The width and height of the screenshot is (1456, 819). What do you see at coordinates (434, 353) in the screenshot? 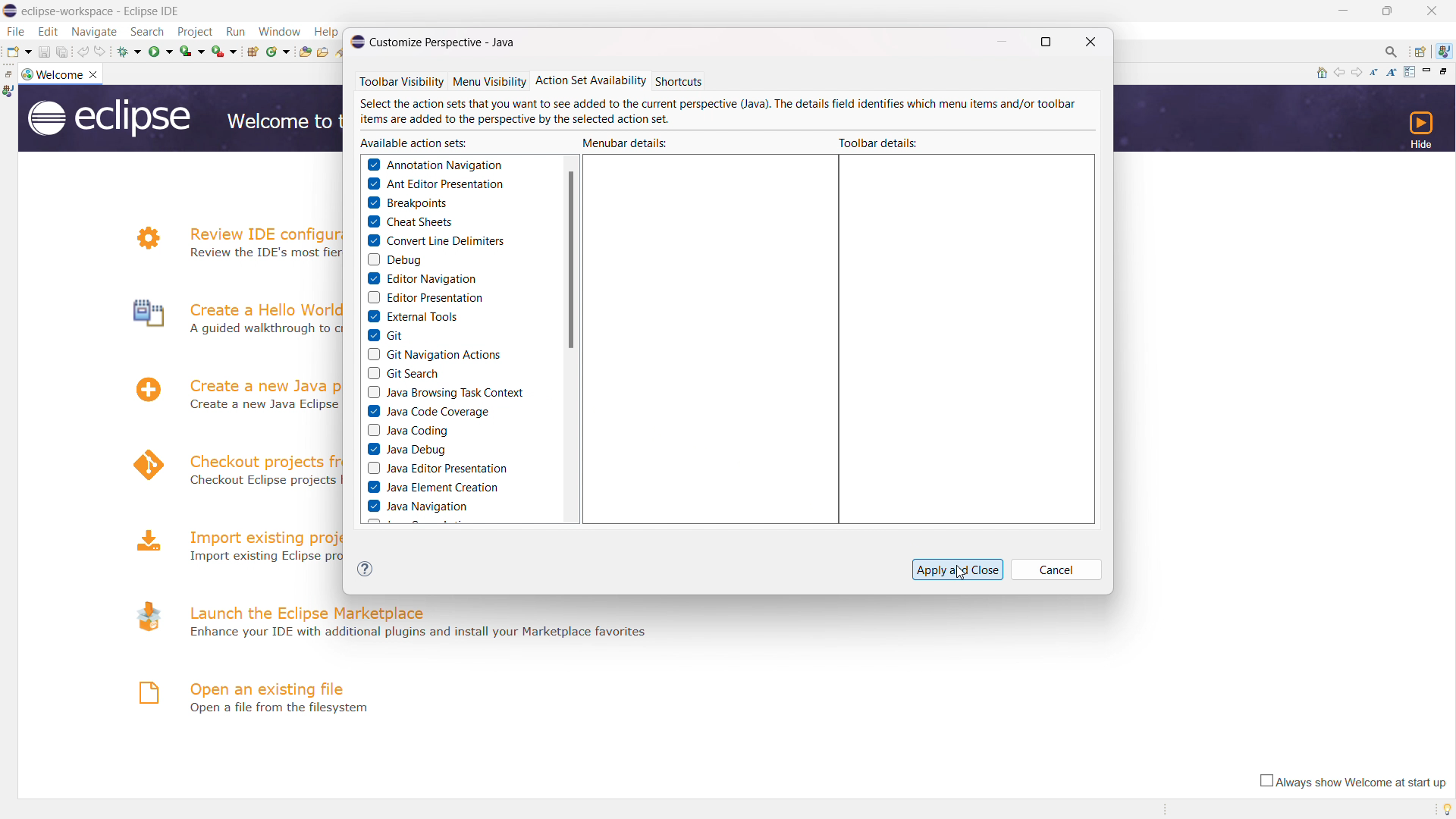
I see `git navigation actions` at bounding box center [434, 353].